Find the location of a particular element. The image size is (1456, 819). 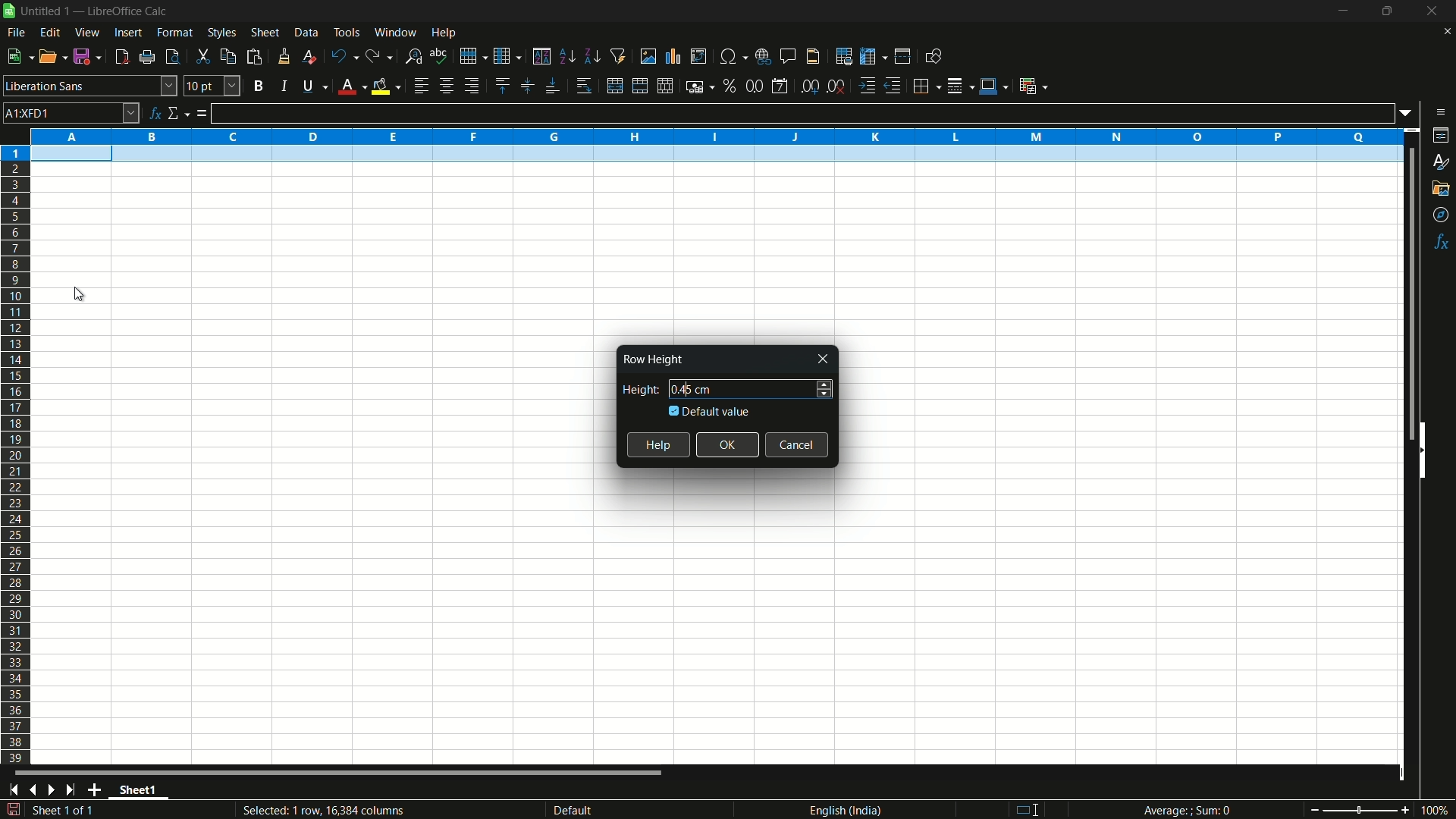

insert menu is located at coordinates (127, 33).